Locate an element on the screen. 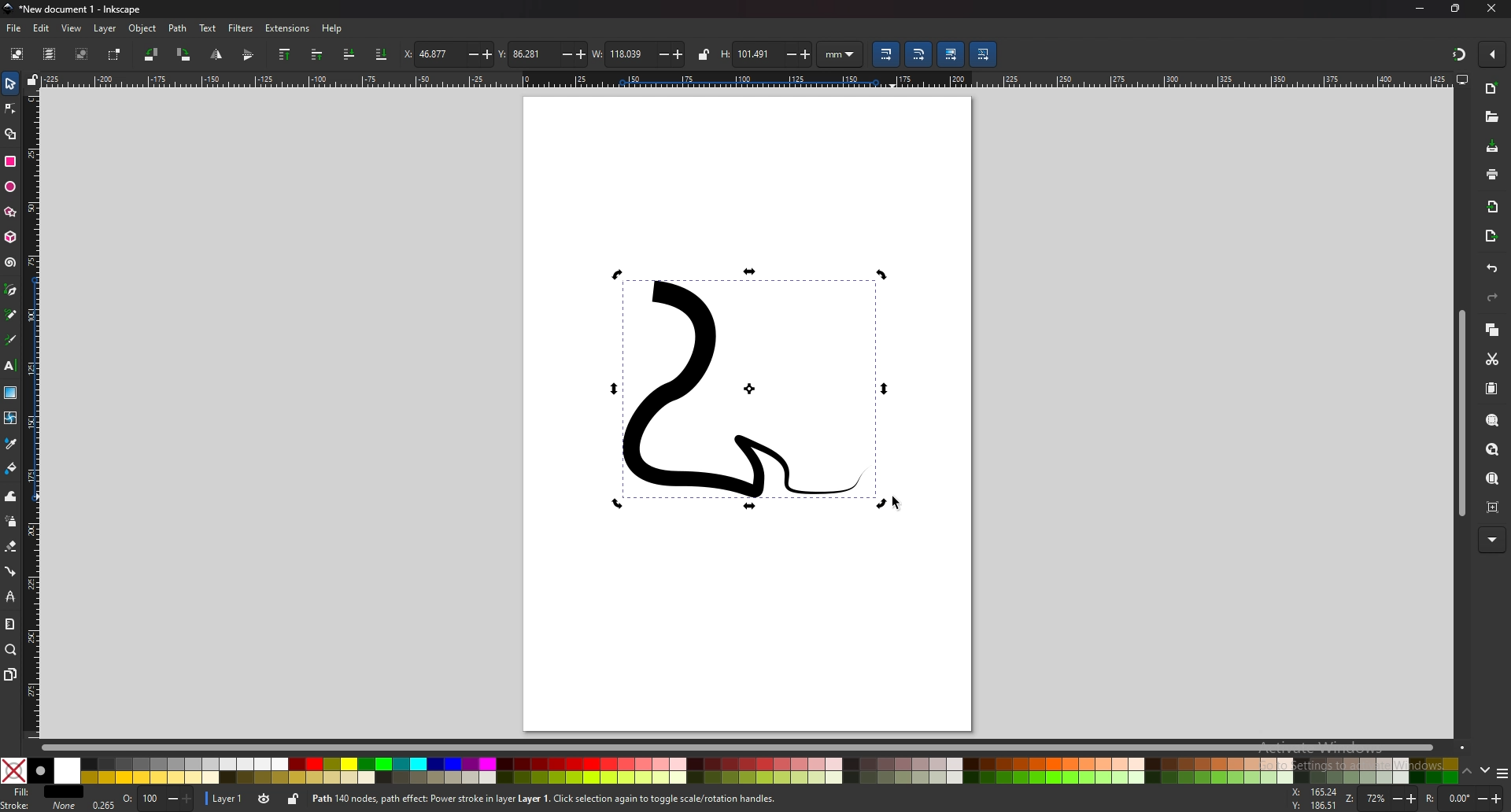 This screenshot has height=812, width=1511. zoom drawing is located at coordinates (1492, 450).